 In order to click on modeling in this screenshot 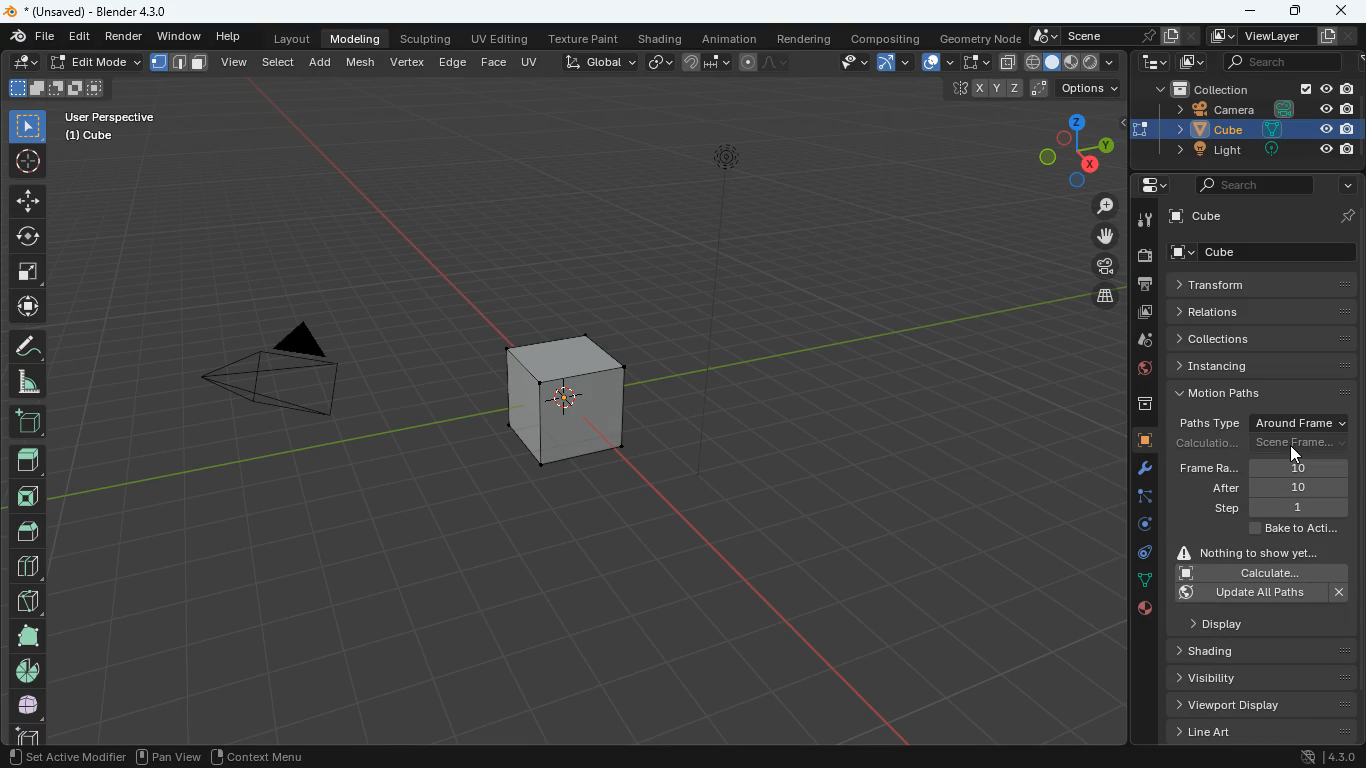, I will do `click(358, 38)`.